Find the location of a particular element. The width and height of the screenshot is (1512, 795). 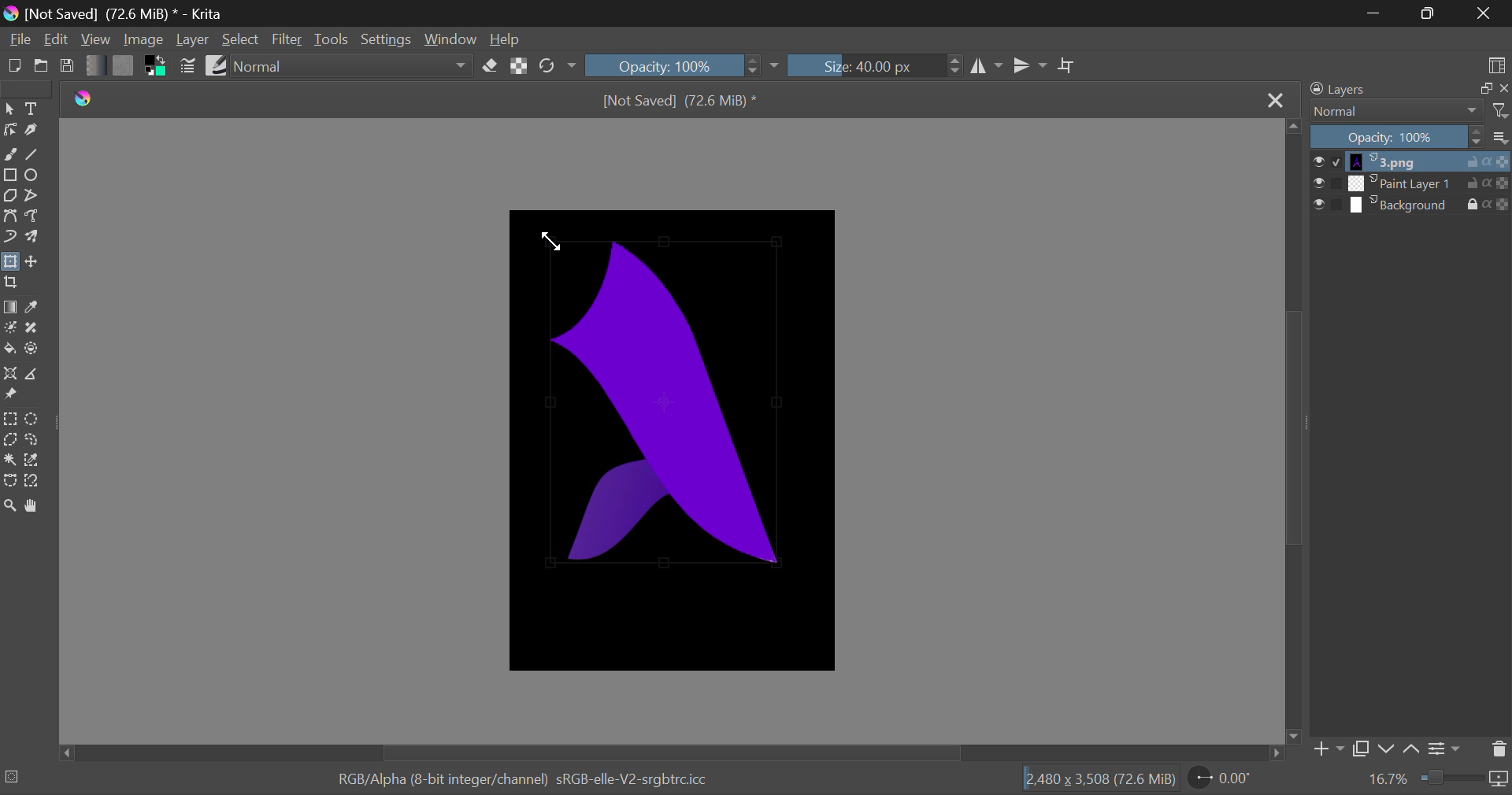

Zoom slider is located at coordinates (1451, 777).